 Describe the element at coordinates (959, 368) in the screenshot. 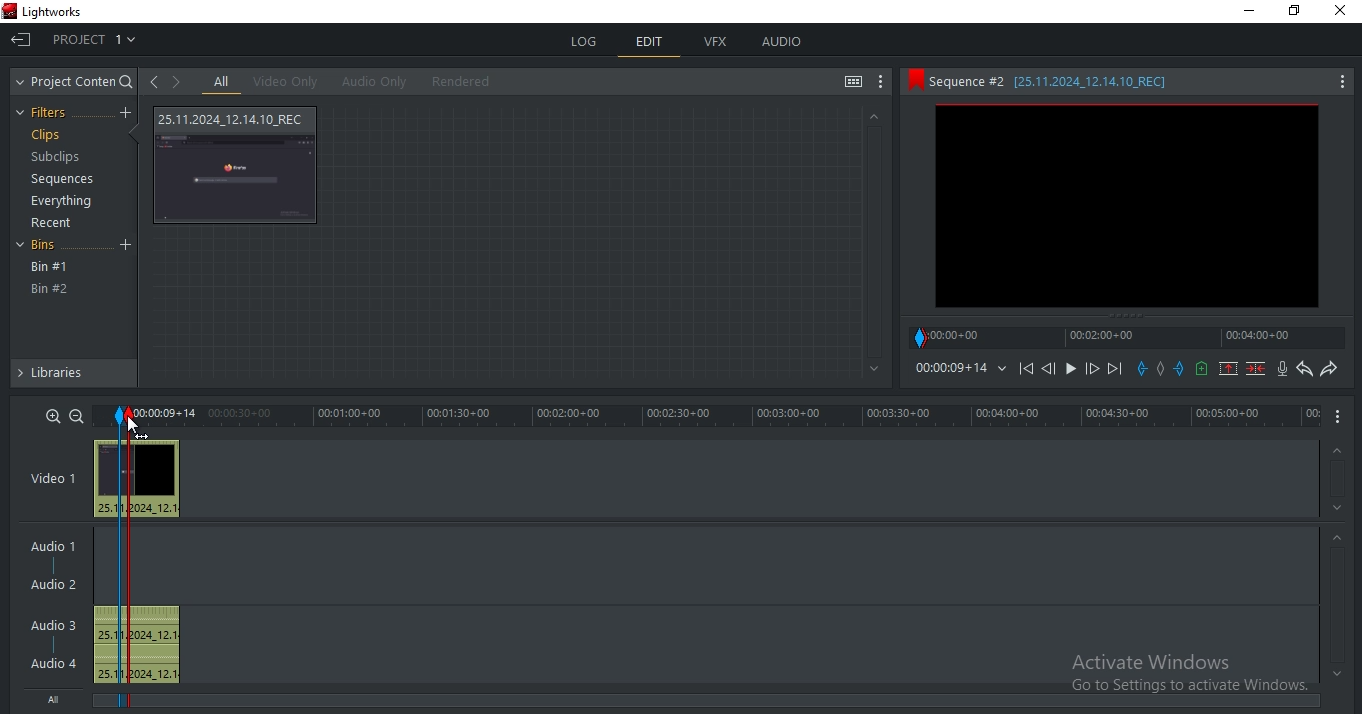

I see `time` at that location.